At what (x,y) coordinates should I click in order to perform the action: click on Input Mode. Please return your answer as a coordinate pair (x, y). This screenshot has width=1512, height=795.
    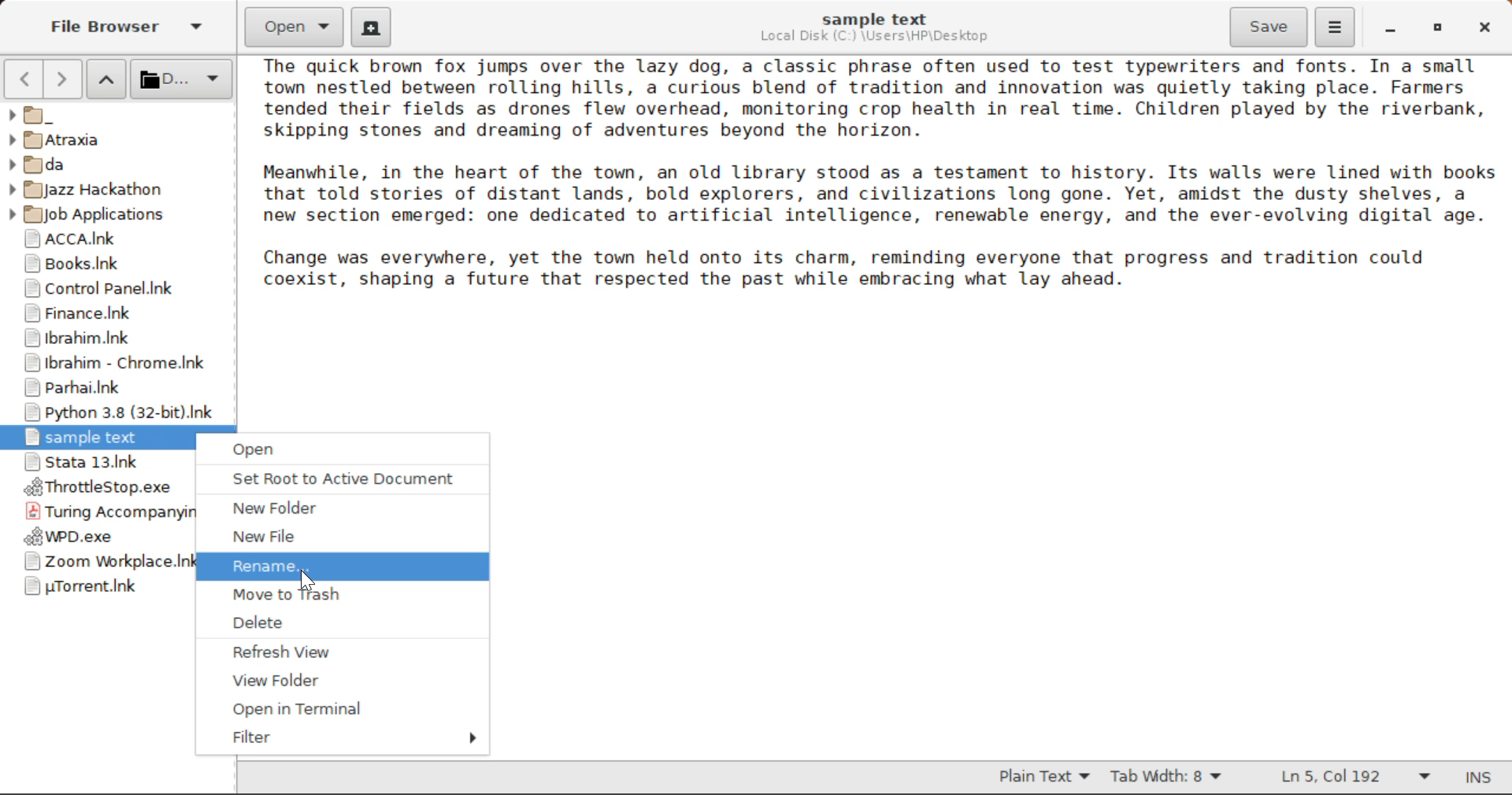
    Looking at the image, I should click on (1484, 778).